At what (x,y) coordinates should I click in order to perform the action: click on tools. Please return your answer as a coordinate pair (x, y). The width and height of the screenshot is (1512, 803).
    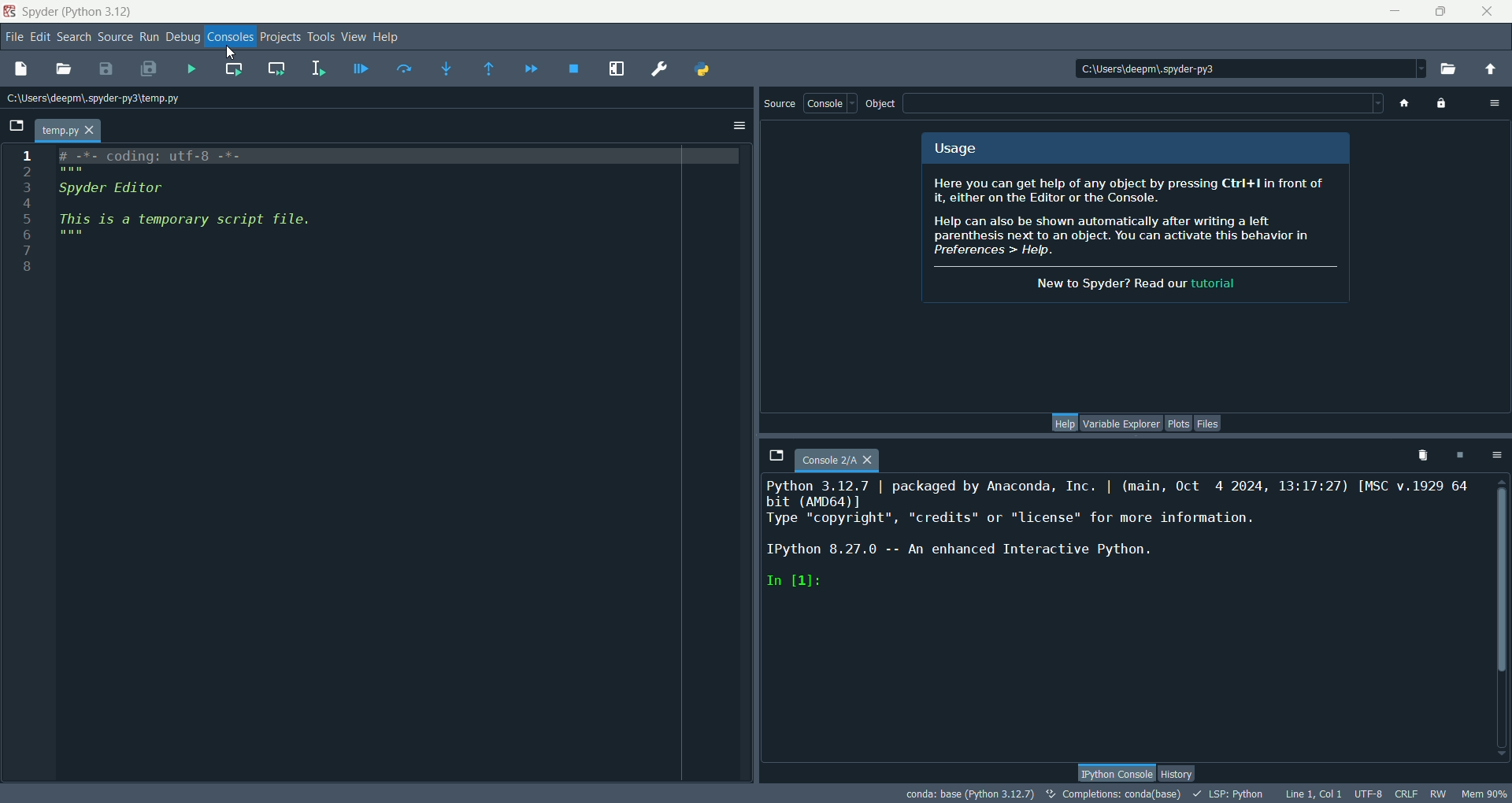
    Looking at the image, I should click on (321, 37).